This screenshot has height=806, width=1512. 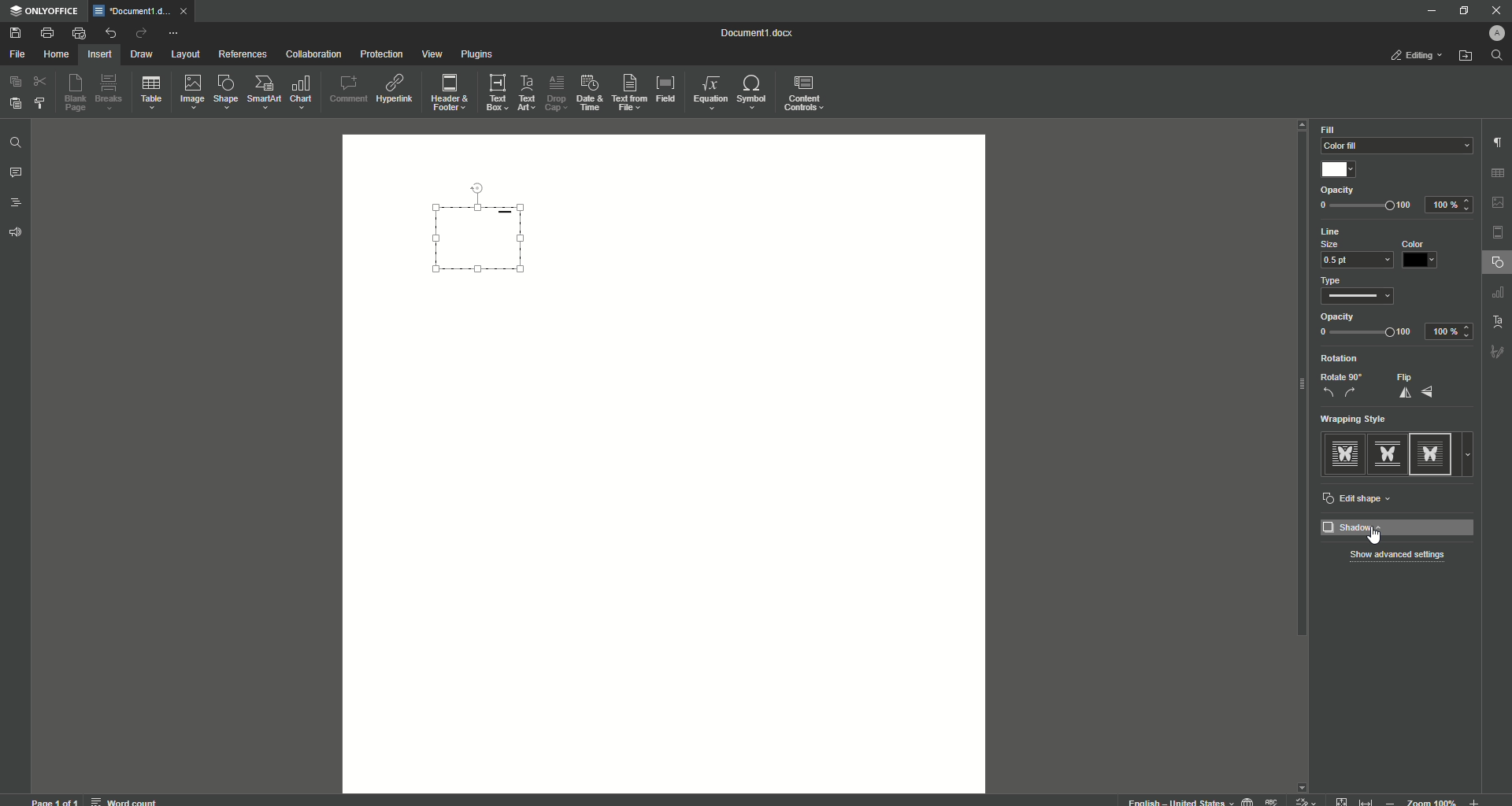 What do you see at coordinates (1462, 11) in the screenshot?
I see `Restore` at bounding box center [1462, 11].